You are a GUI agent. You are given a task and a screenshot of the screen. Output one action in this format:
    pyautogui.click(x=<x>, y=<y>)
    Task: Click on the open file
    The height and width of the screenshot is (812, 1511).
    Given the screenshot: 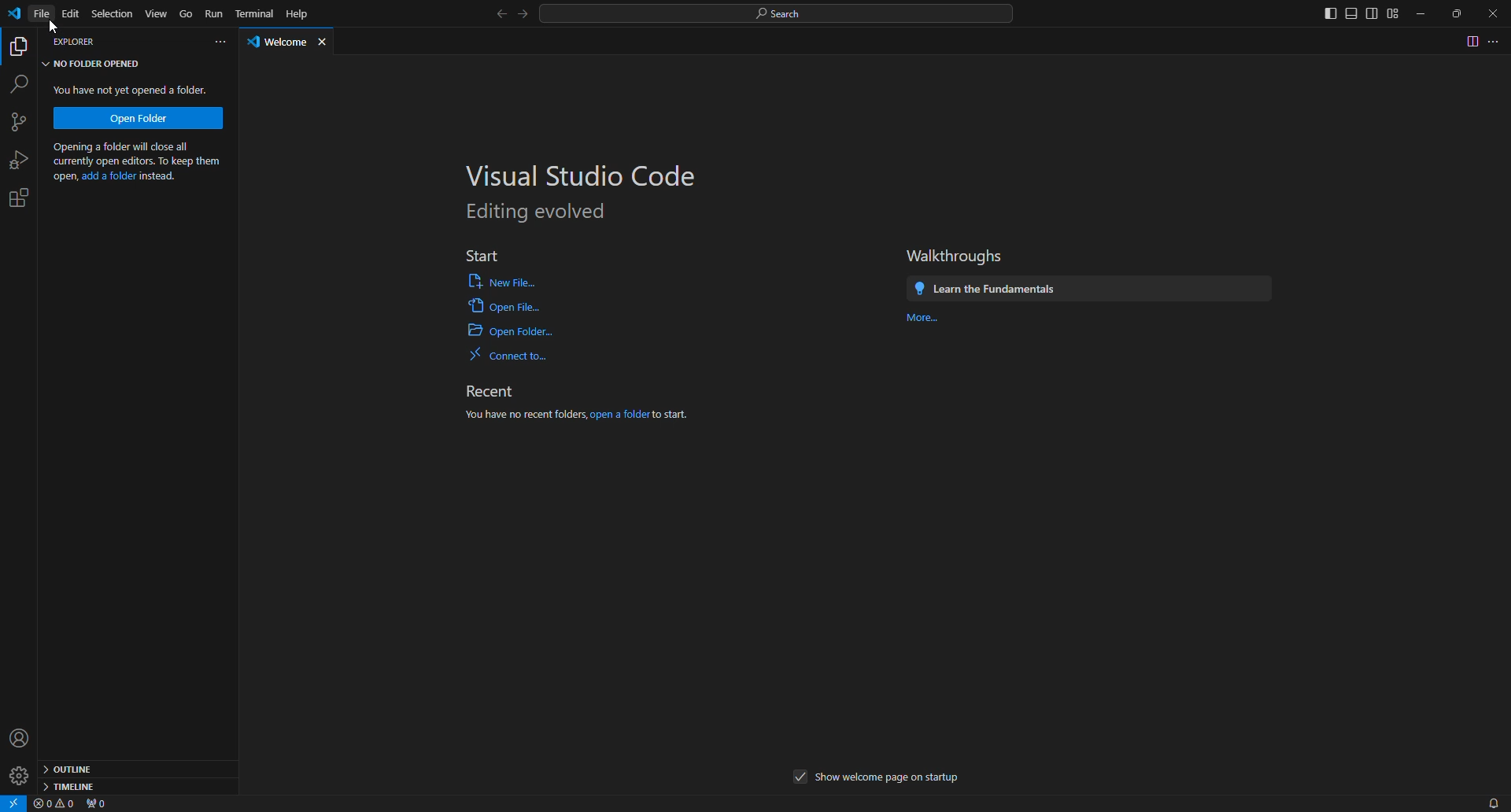 What is the action you would take?
    pyautogui.click(x=502, y=280)
    